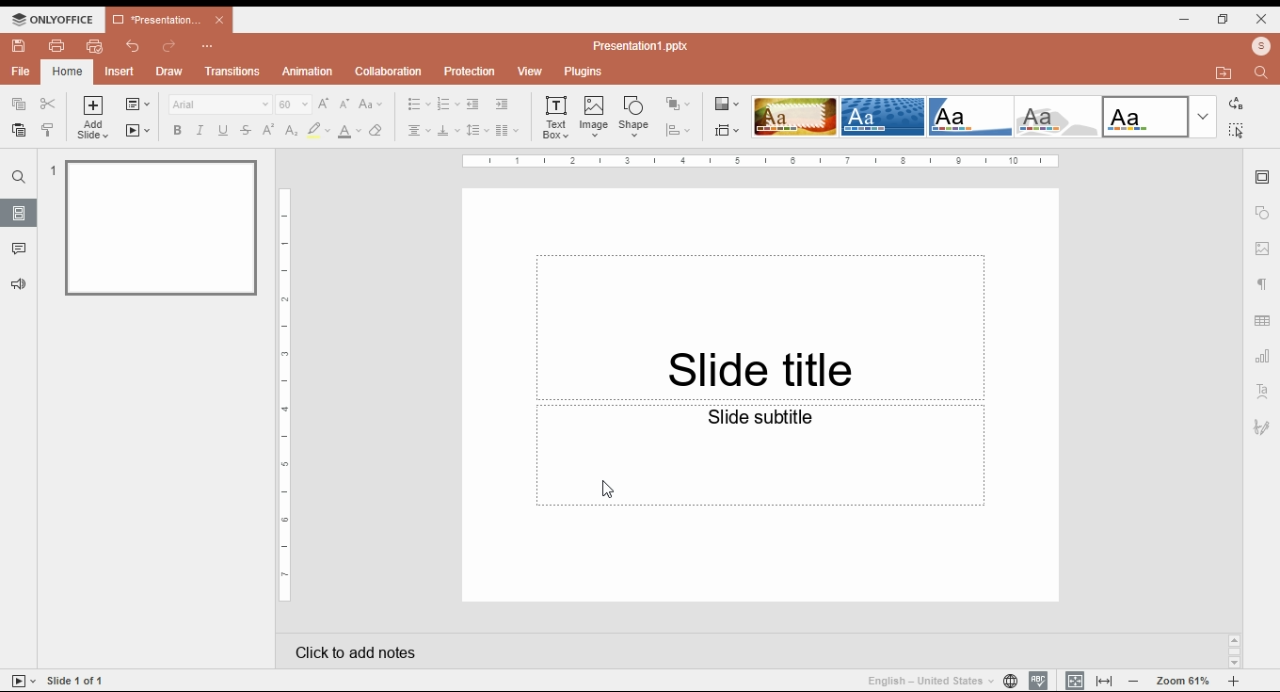 The width and height of the screenshot is (1280, 692). What do you see at coordinates (309, 71) in the screenshot?
I see `animation` at bounding box center [309, 71].